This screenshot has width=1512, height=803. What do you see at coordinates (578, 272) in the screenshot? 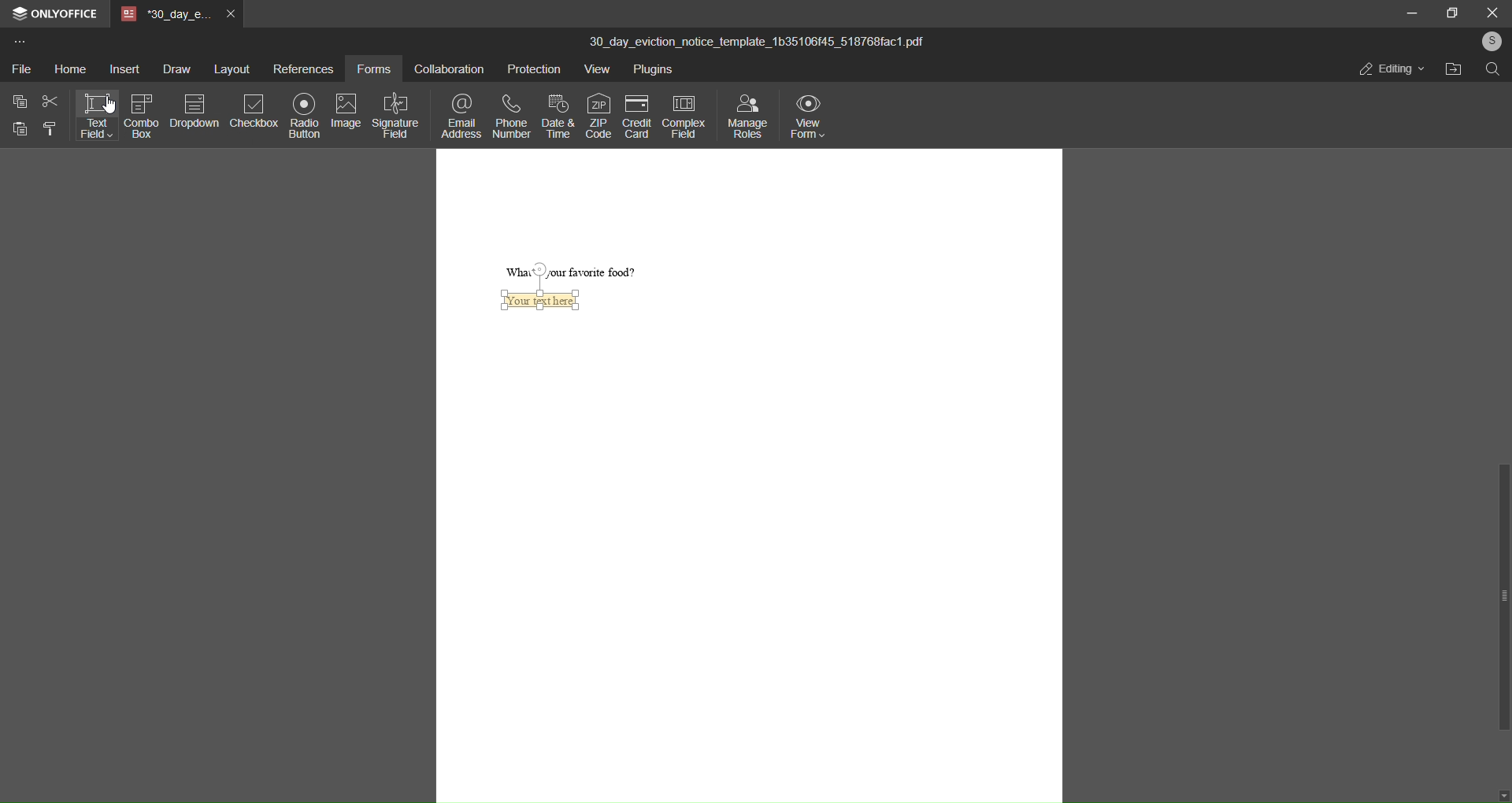
I see `What's your favorite food?` at bounding box center [578, 272].